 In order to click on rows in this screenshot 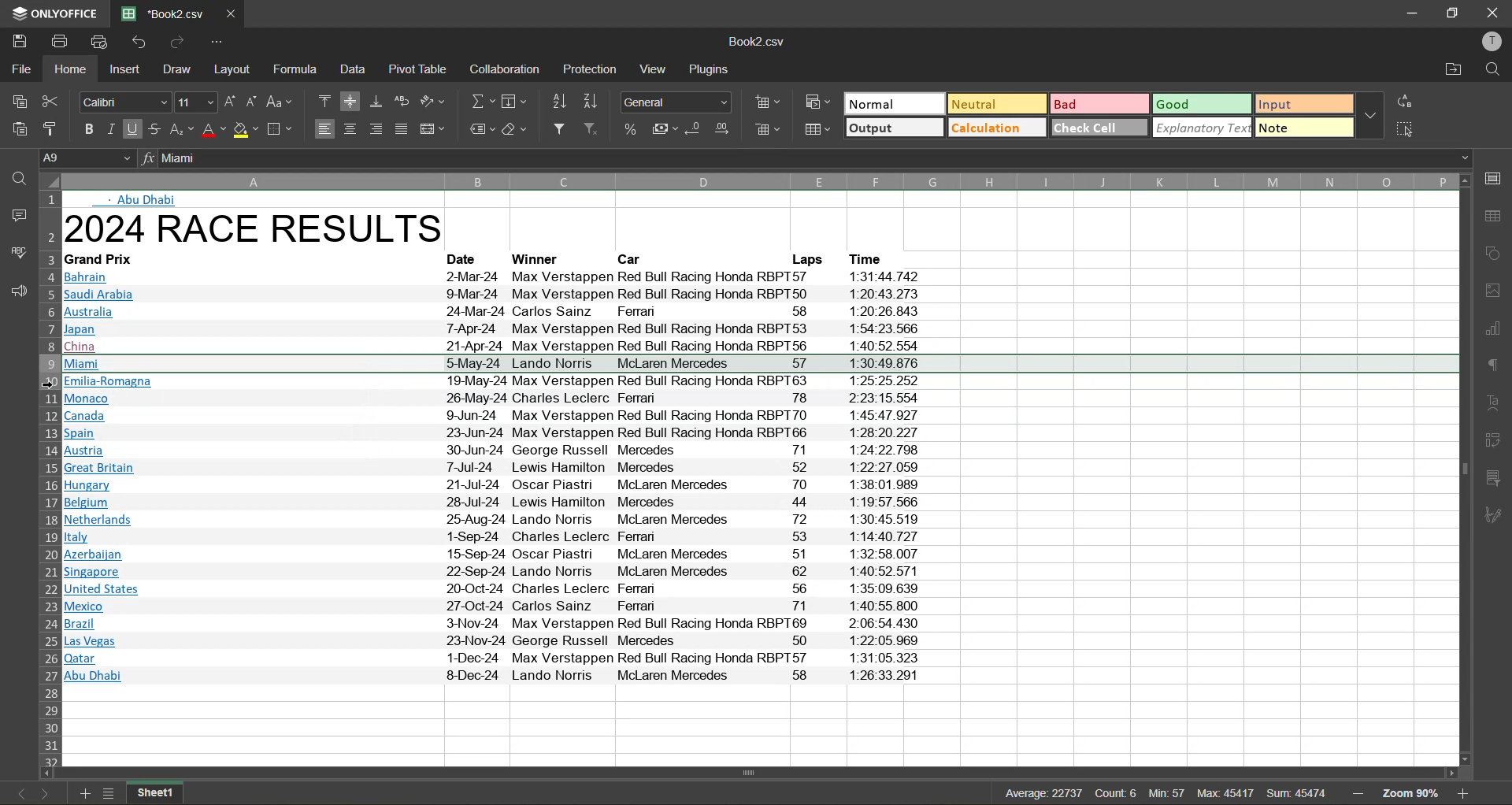, I will do `click(48, 480)`.